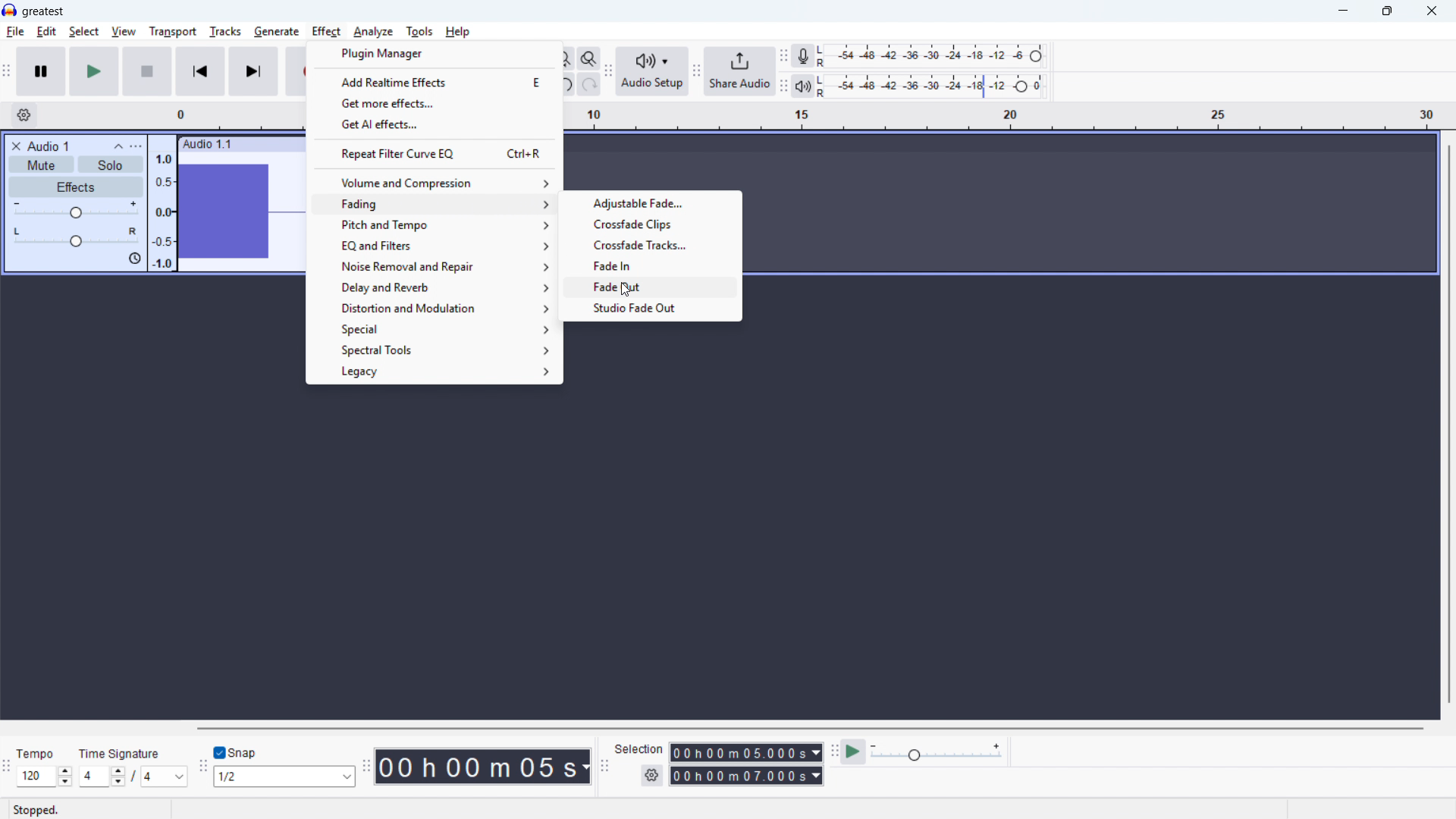  What do you see at coordinates (42, 12) in the screenshot?
I see `Greatest ` at bounding box center [42, 12].